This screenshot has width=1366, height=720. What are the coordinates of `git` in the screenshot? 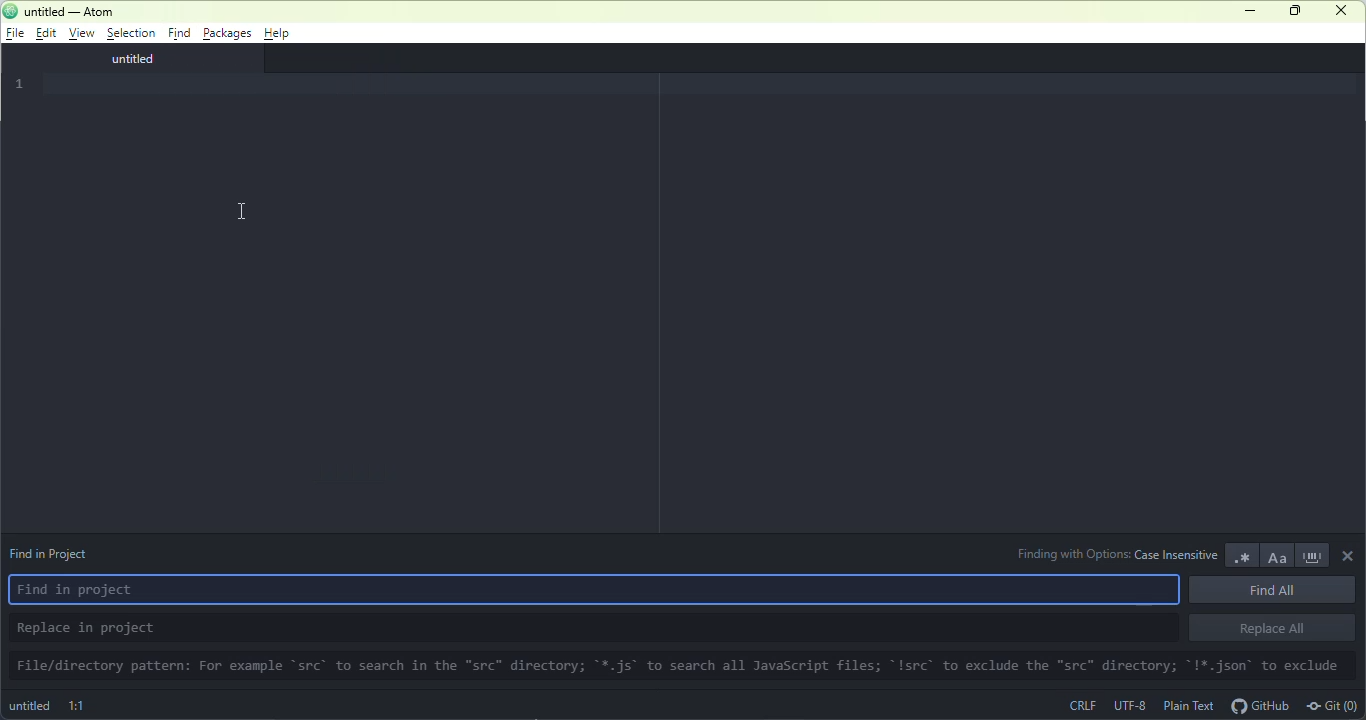 It's located at (1334, 705).